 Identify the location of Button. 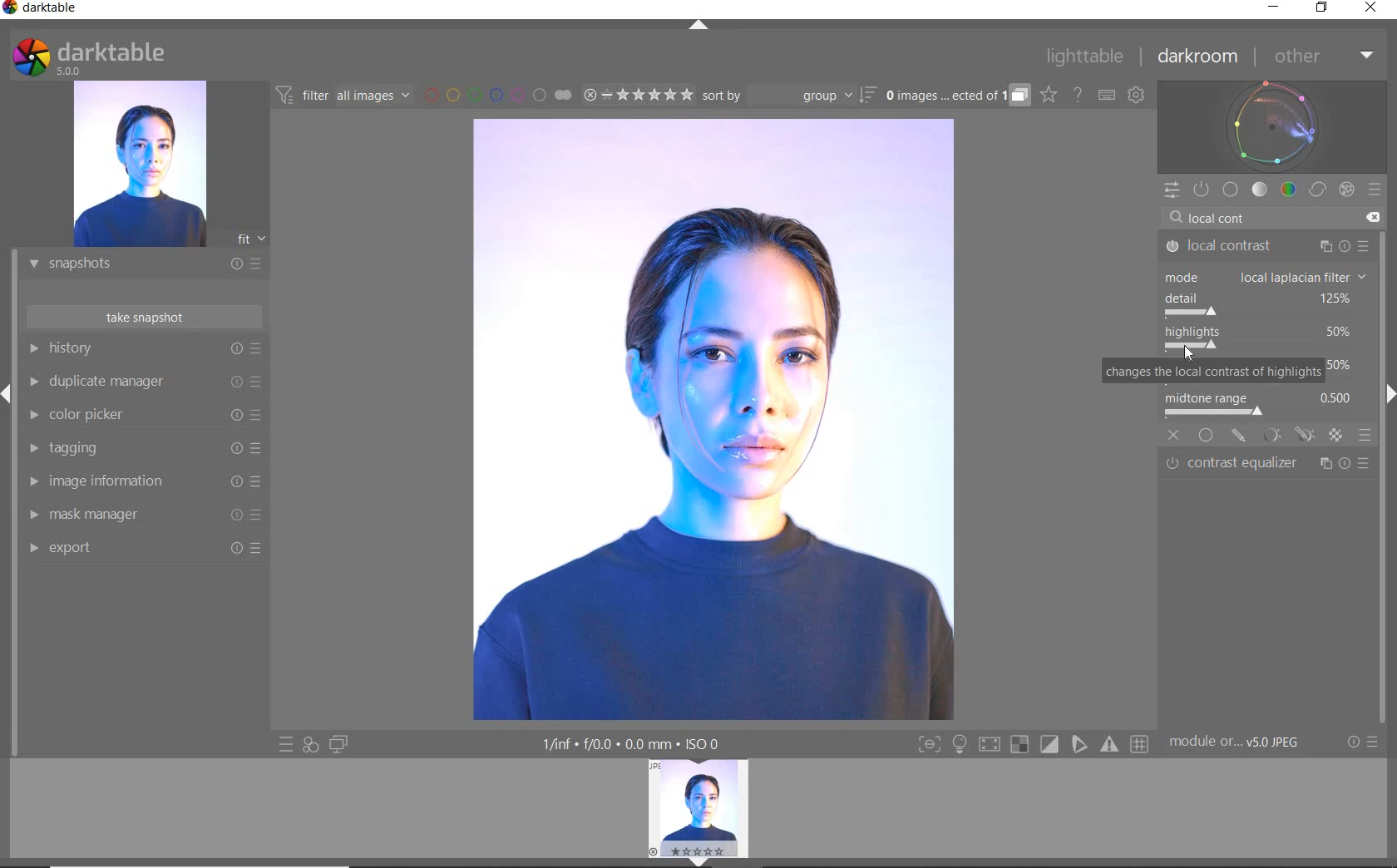
(1080, 744).